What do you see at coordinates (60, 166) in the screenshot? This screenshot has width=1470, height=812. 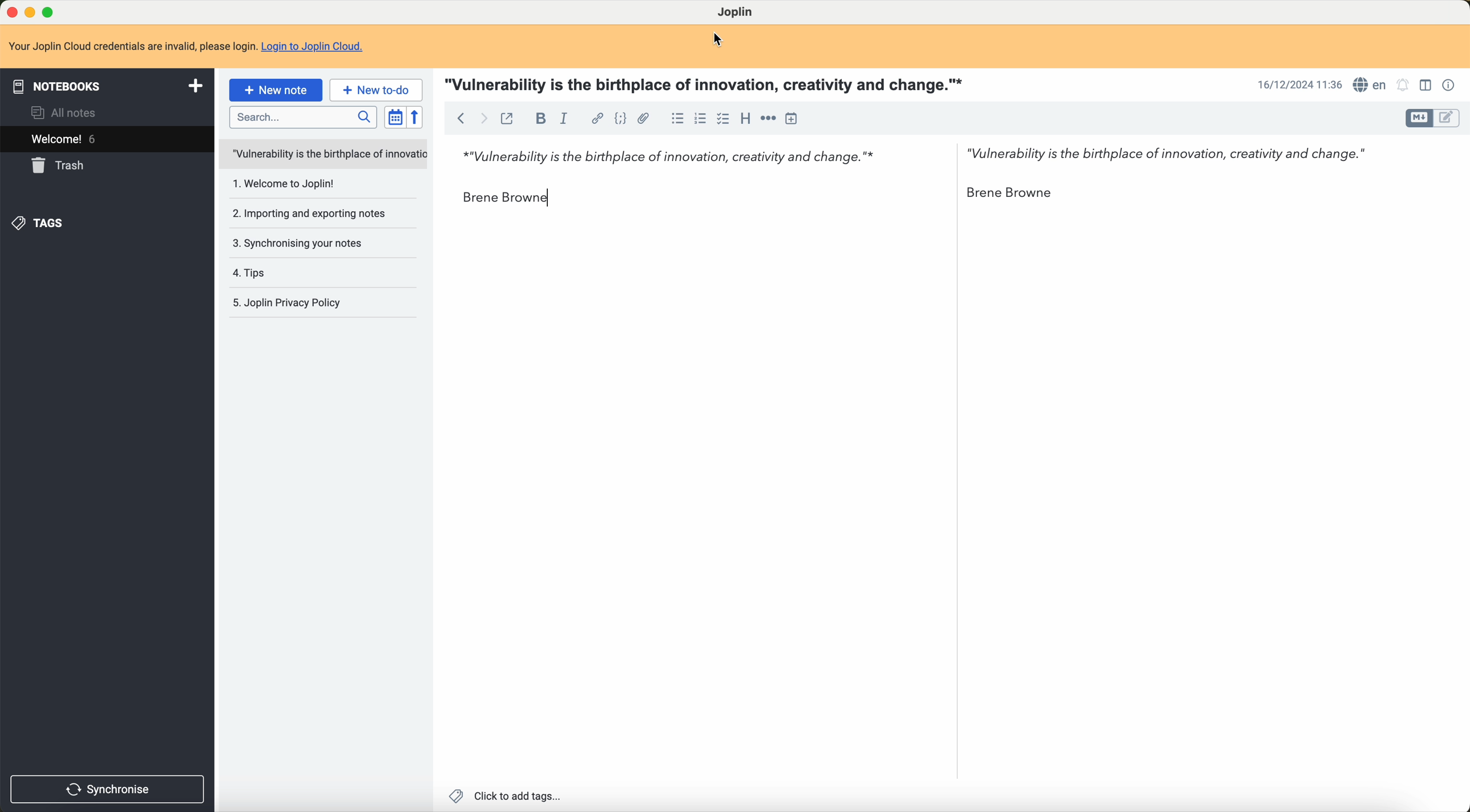 I see `trash` at bounding box center [60, 166].